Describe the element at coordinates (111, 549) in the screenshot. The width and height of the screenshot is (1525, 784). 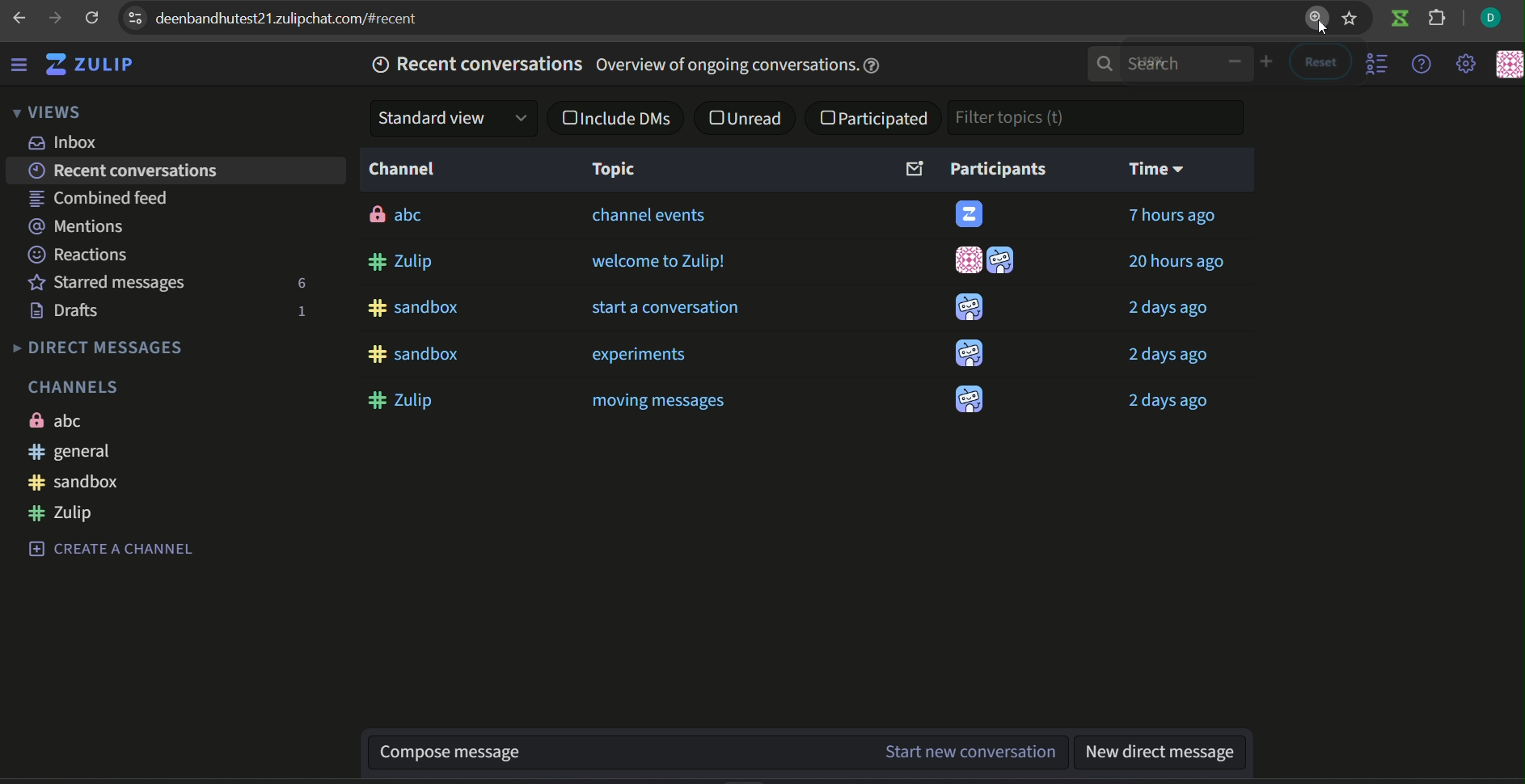
I see `create a channel` at that location.